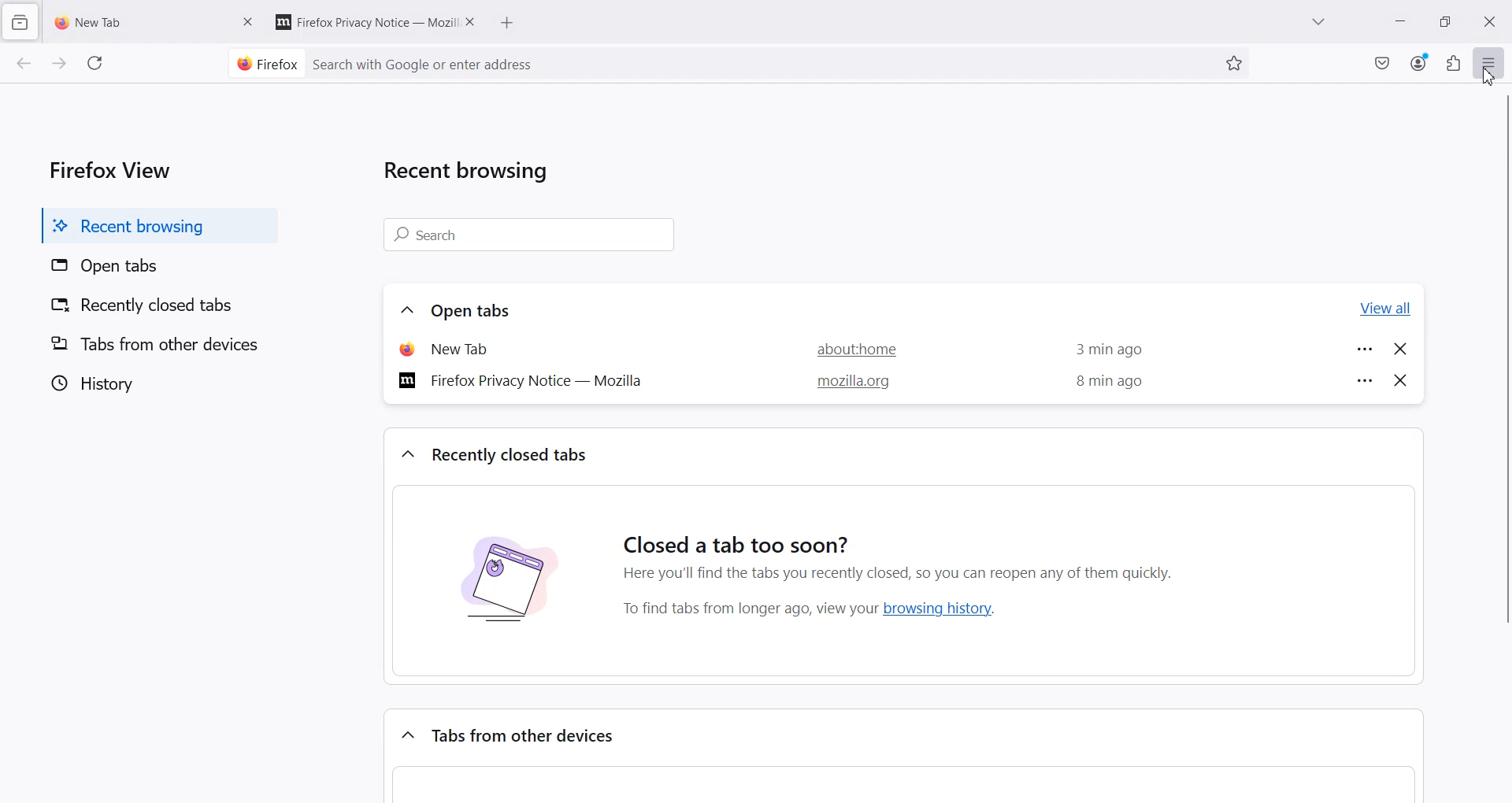  Describe the element at coordinates (532, 235) in the screenshot. I see `Search Recent Tabs` at that location.